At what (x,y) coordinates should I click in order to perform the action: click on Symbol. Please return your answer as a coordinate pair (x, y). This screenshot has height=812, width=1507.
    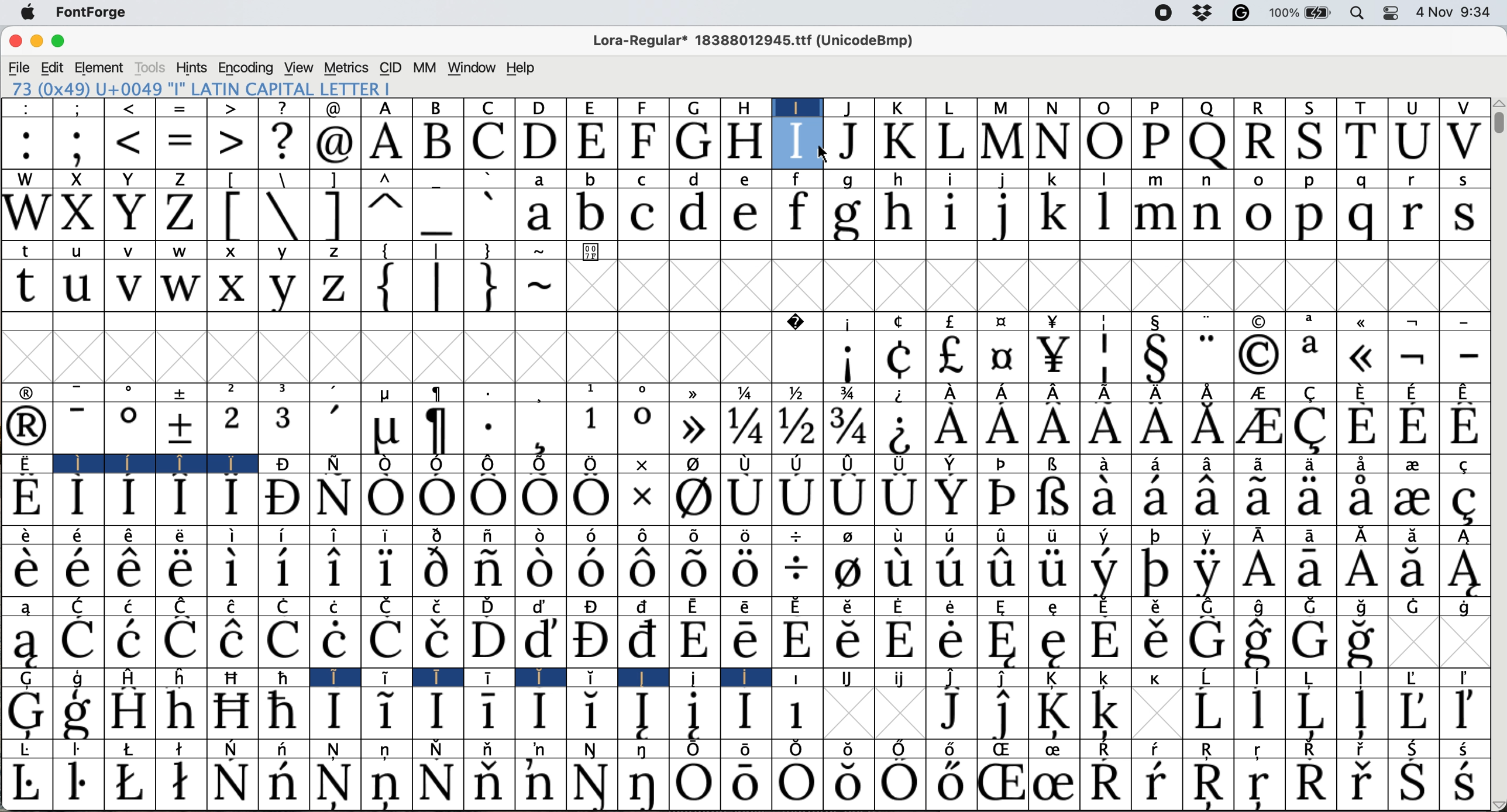
    Looking at the image, I should click on (693, 571).